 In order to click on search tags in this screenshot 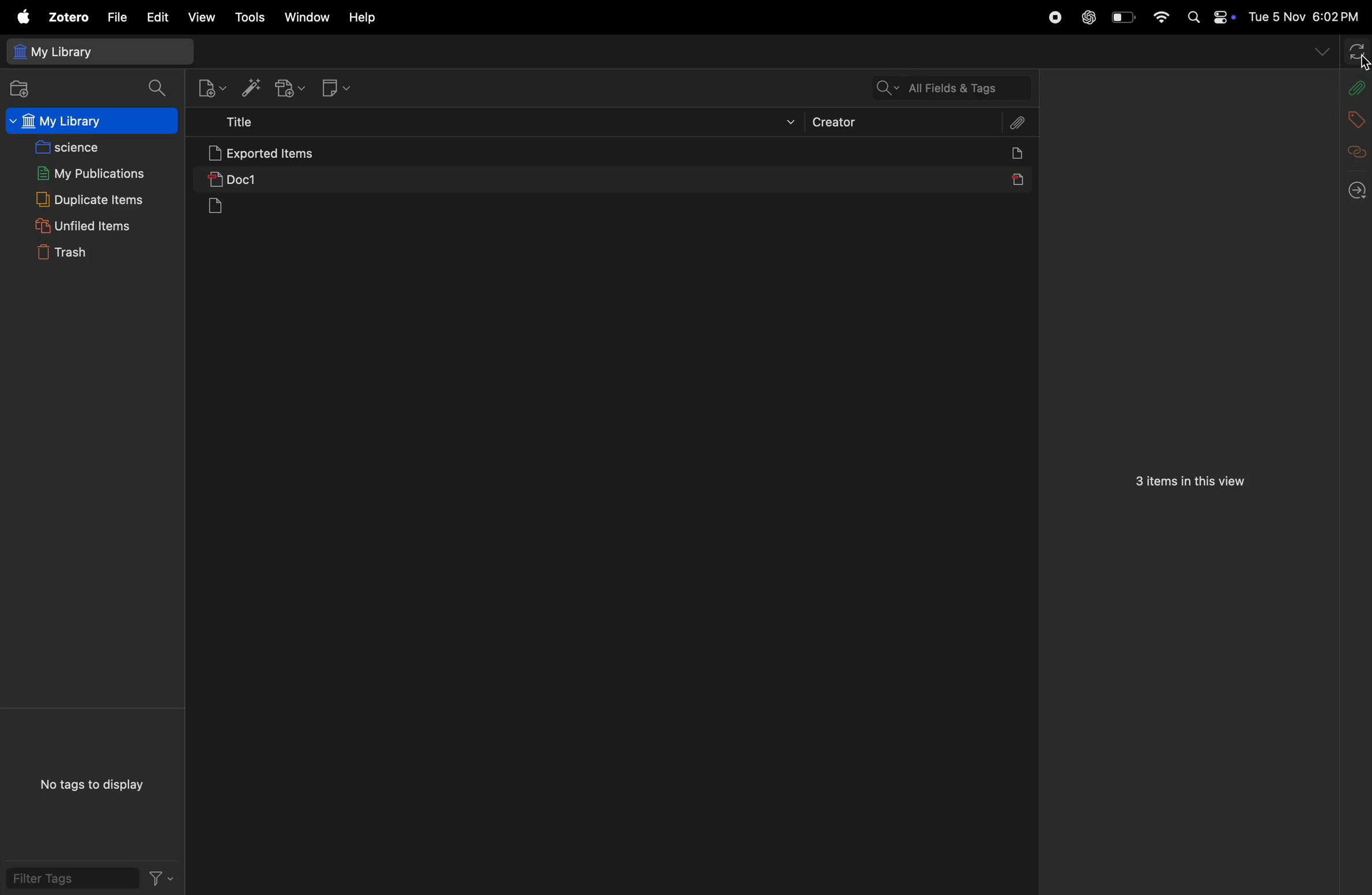, I will do `click(943, 88)`.